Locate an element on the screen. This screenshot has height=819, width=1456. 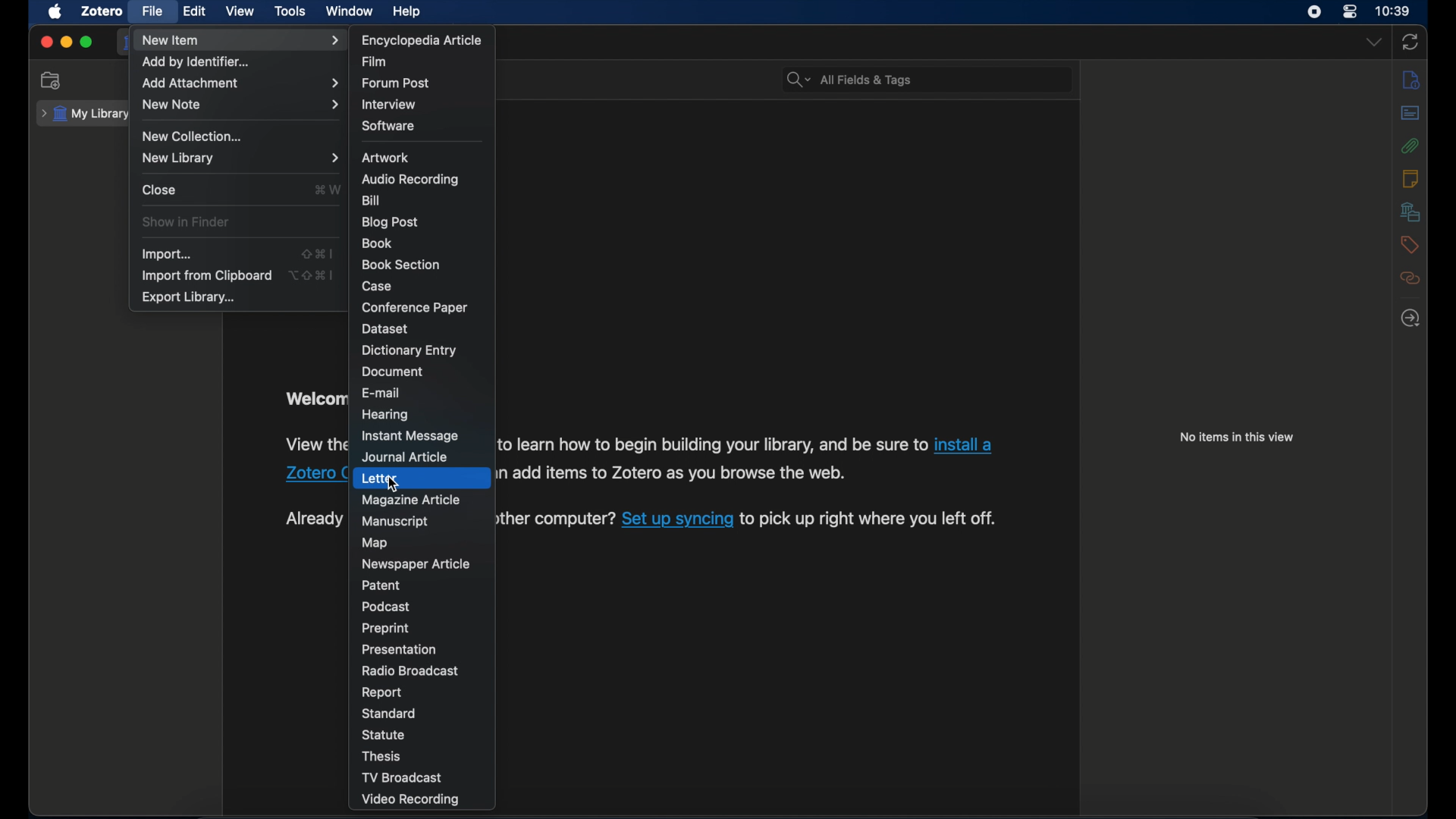
info is located at coordinates (1411, 80).